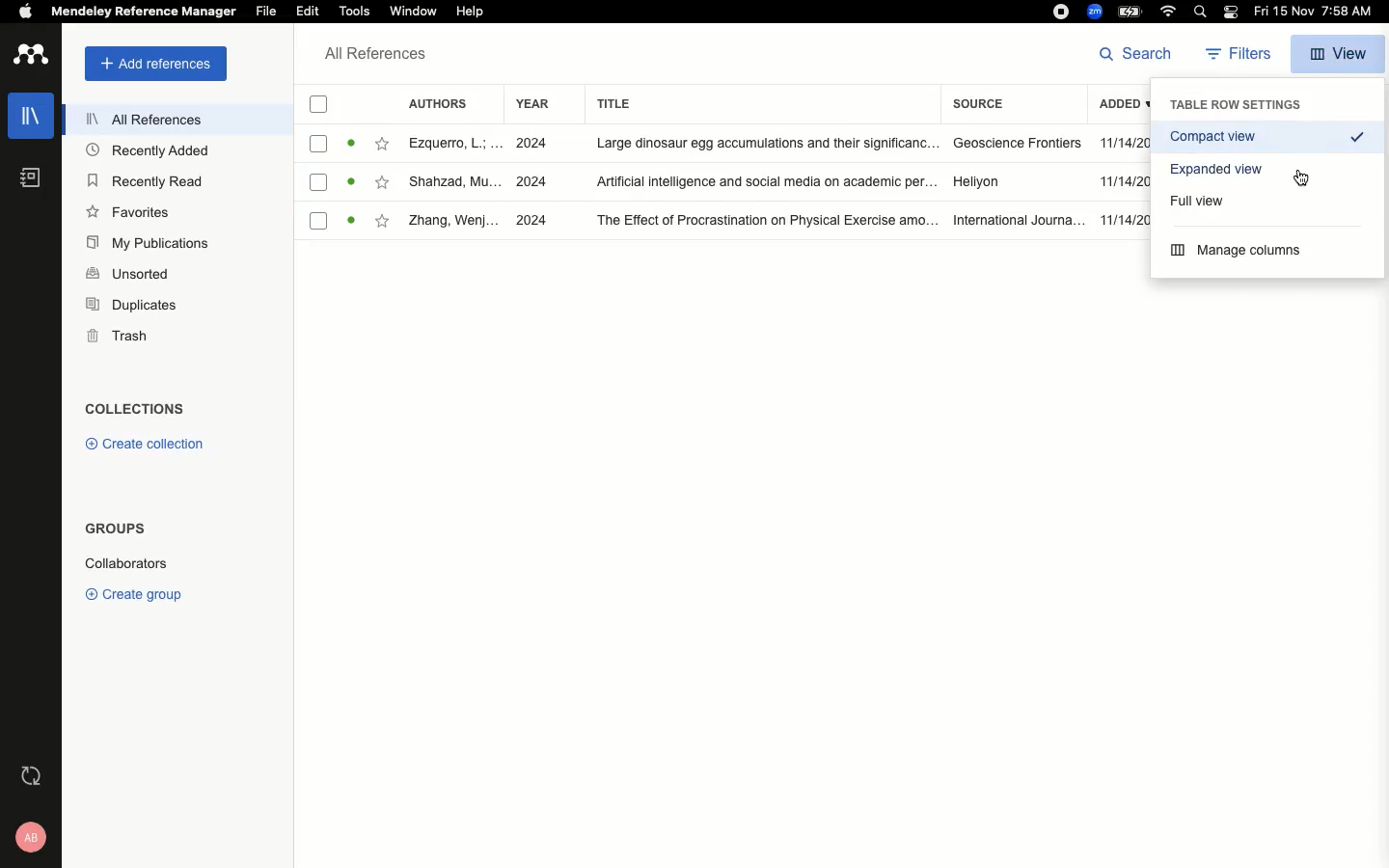  I want to click on 11/14/2024, so click(1123, 144).